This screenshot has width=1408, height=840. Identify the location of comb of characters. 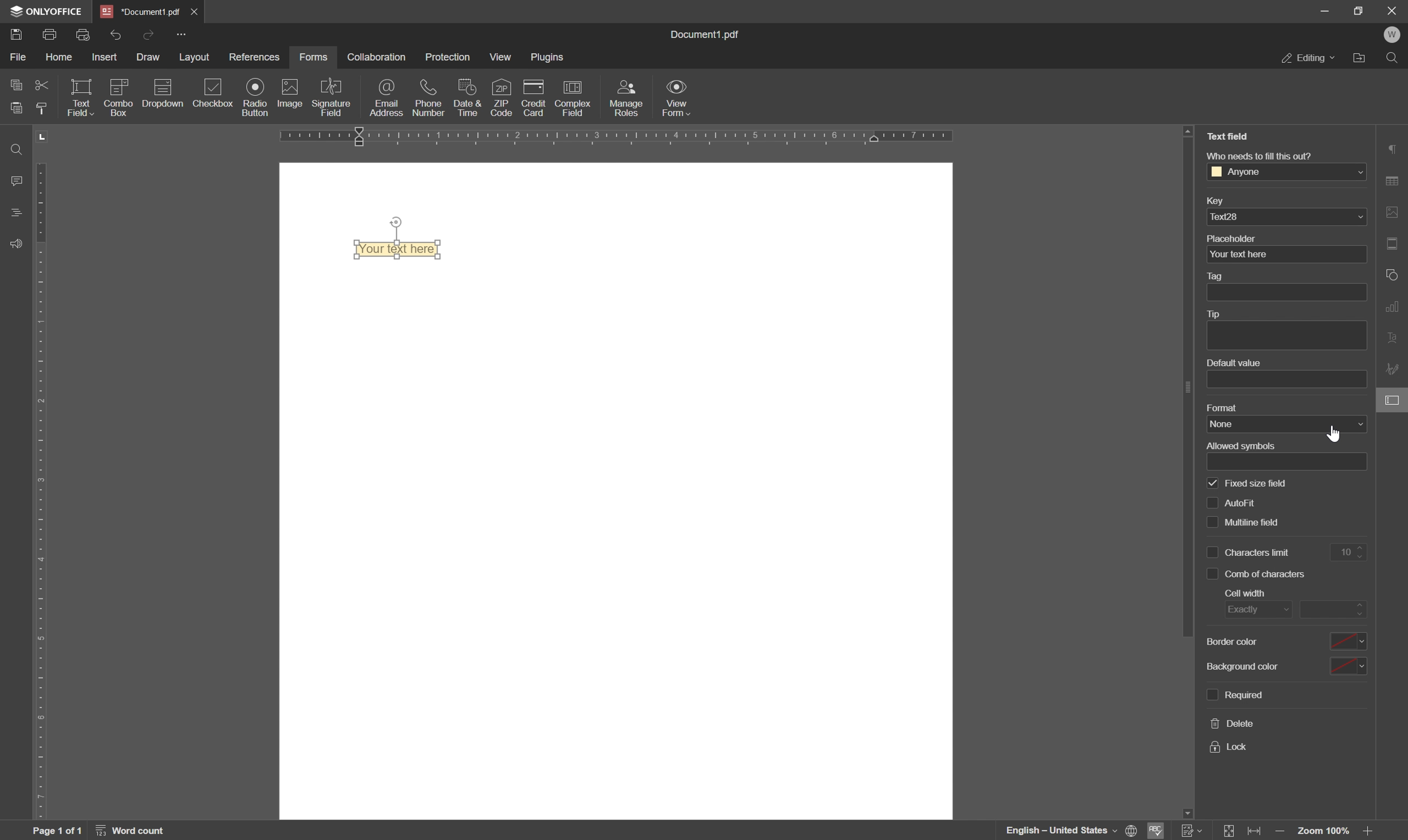
(1257, 575).